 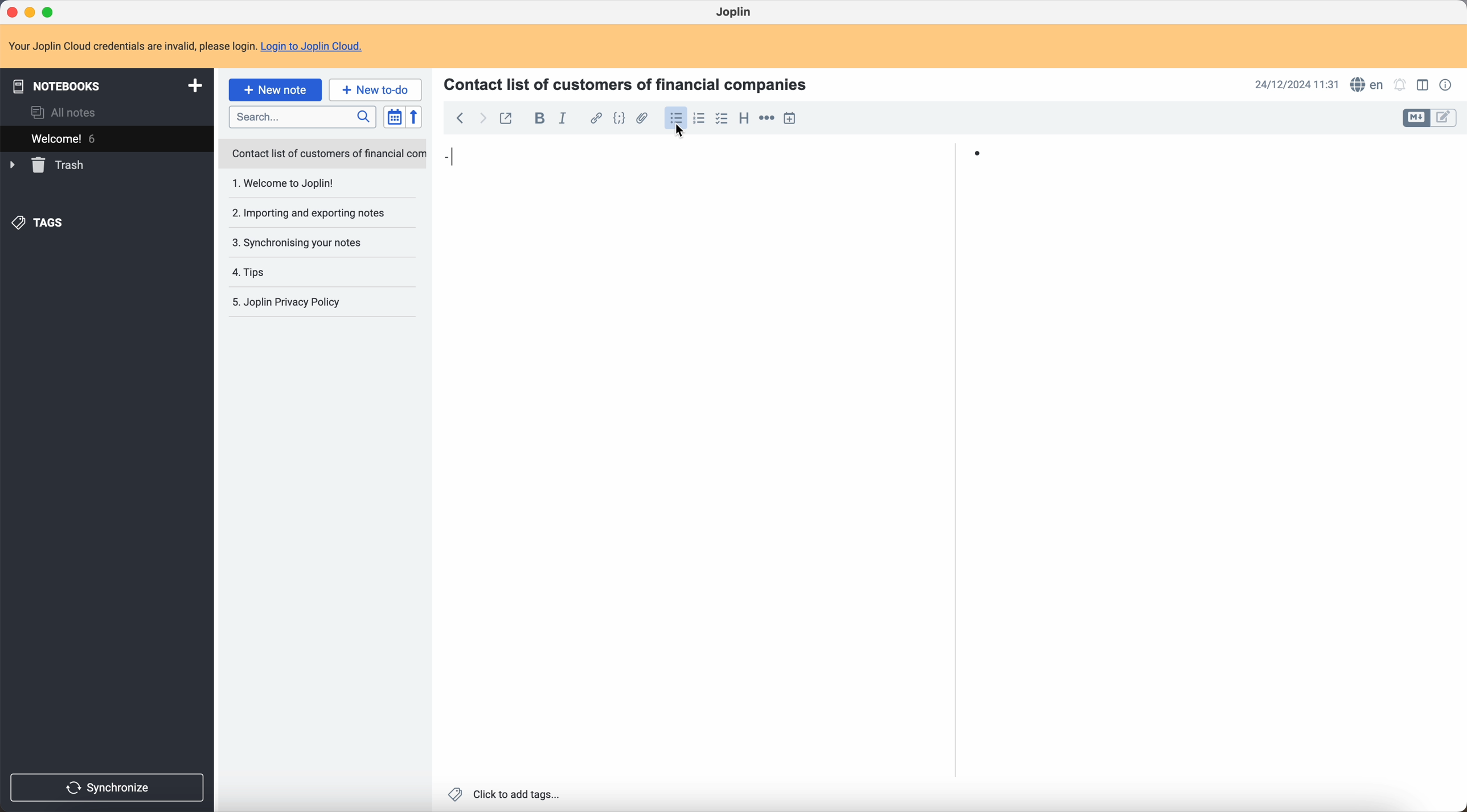 What do you see at coordinates (1367, 84) in the screenshot?
I see `spell checker` at bounding box center [1367, 84].